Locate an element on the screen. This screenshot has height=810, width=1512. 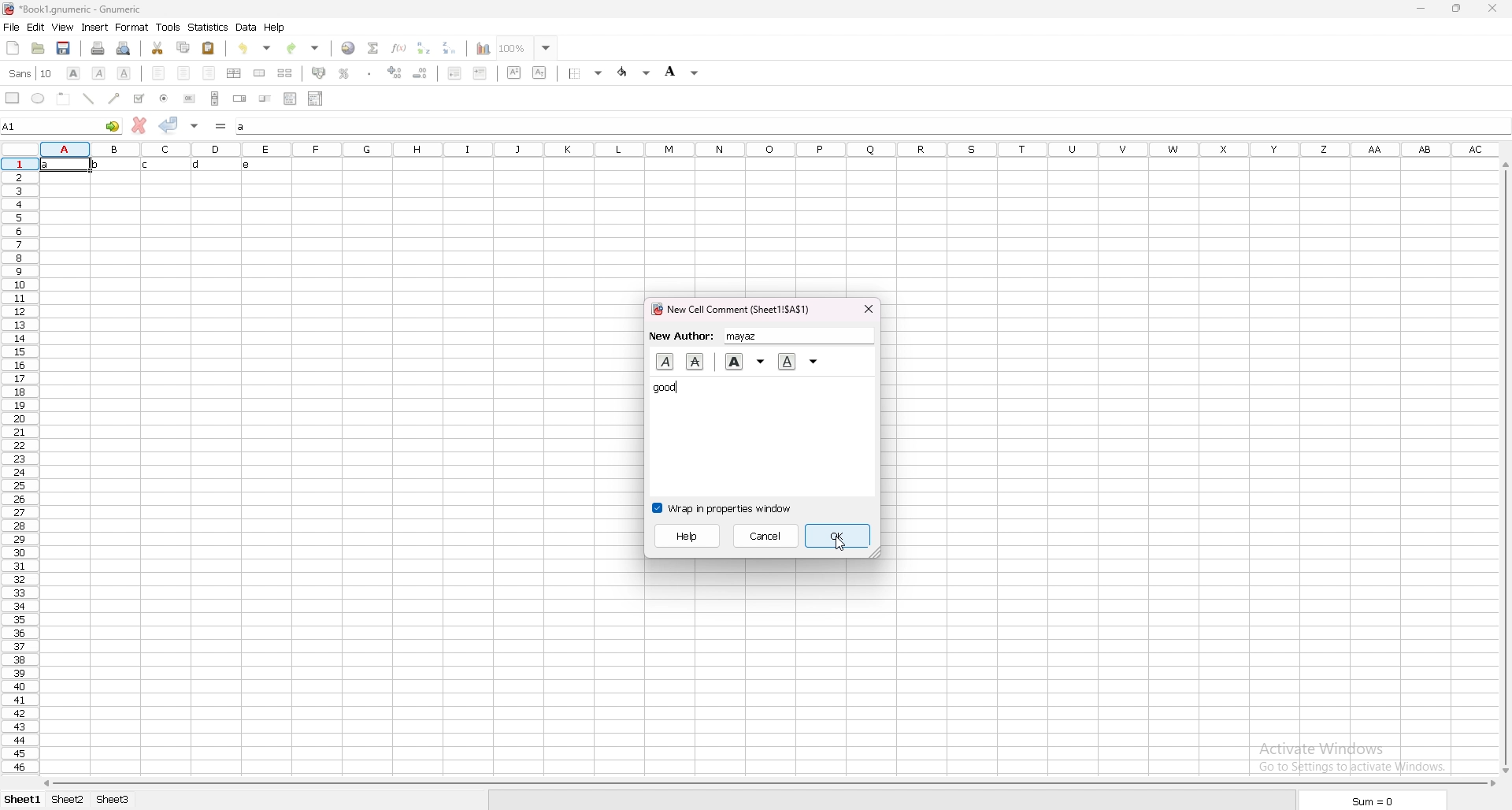
centre horizontally is located at coordinates (235, 74).